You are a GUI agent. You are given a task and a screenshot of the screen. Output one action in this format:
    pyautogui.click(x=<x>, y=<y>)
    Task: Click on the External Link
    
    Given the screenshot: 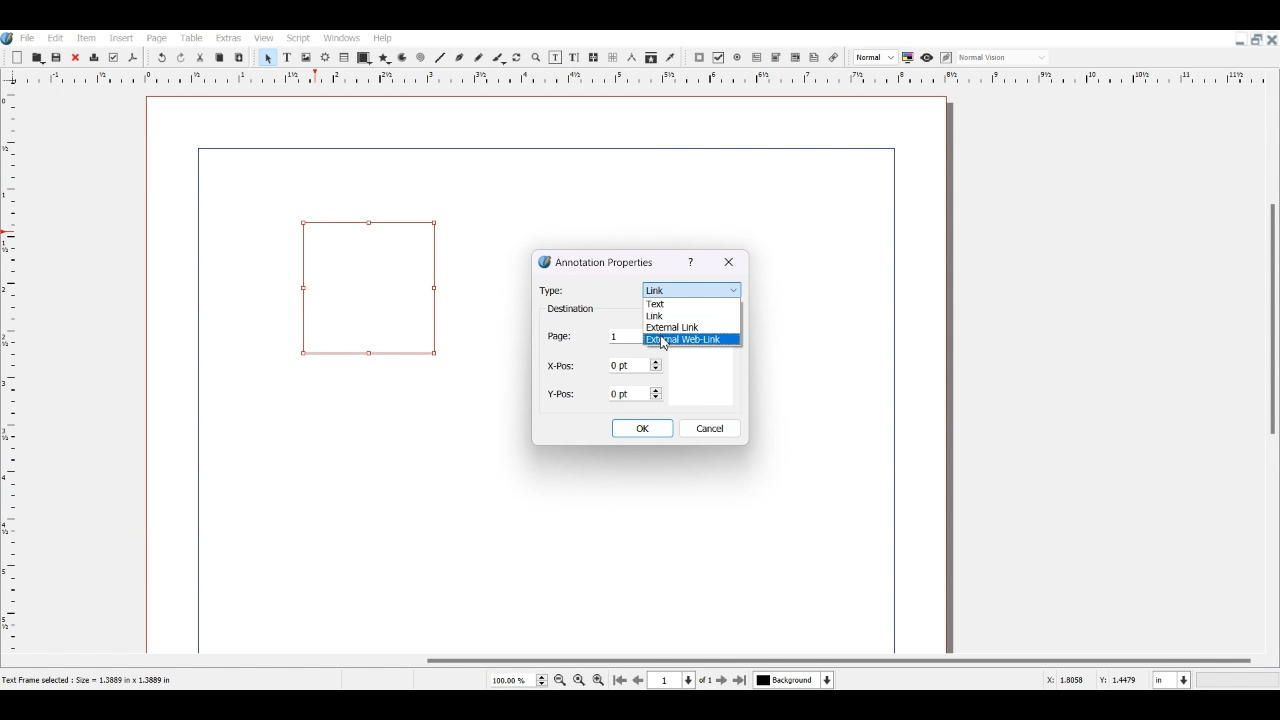 What is the action you would take?
    pyautogui.click(x=676, y=328)
    